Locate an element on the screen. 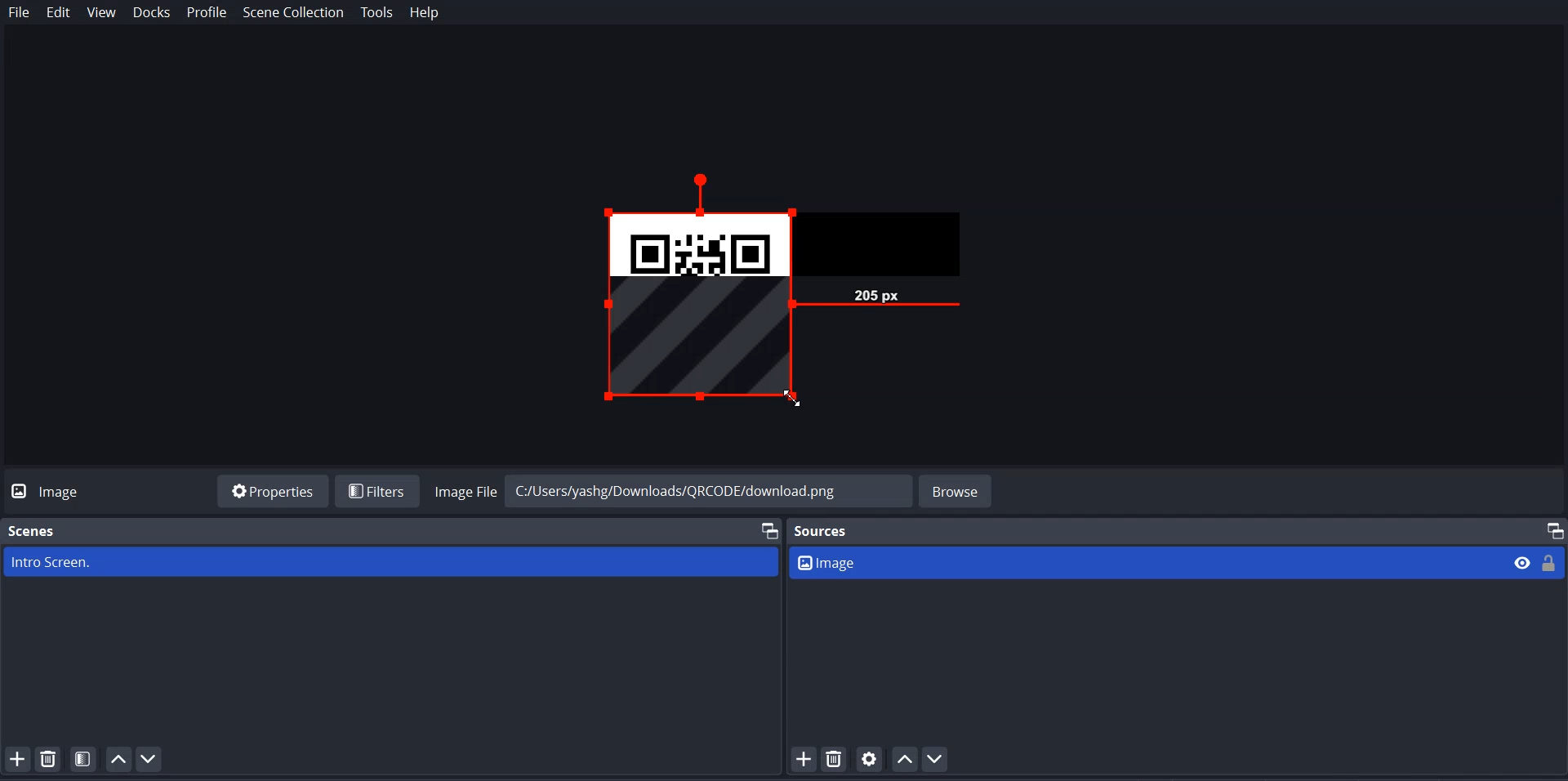 Image resolution: width=1568 pixels, height=781 pixels. Scene Collection is located at coordinates (294, 14).